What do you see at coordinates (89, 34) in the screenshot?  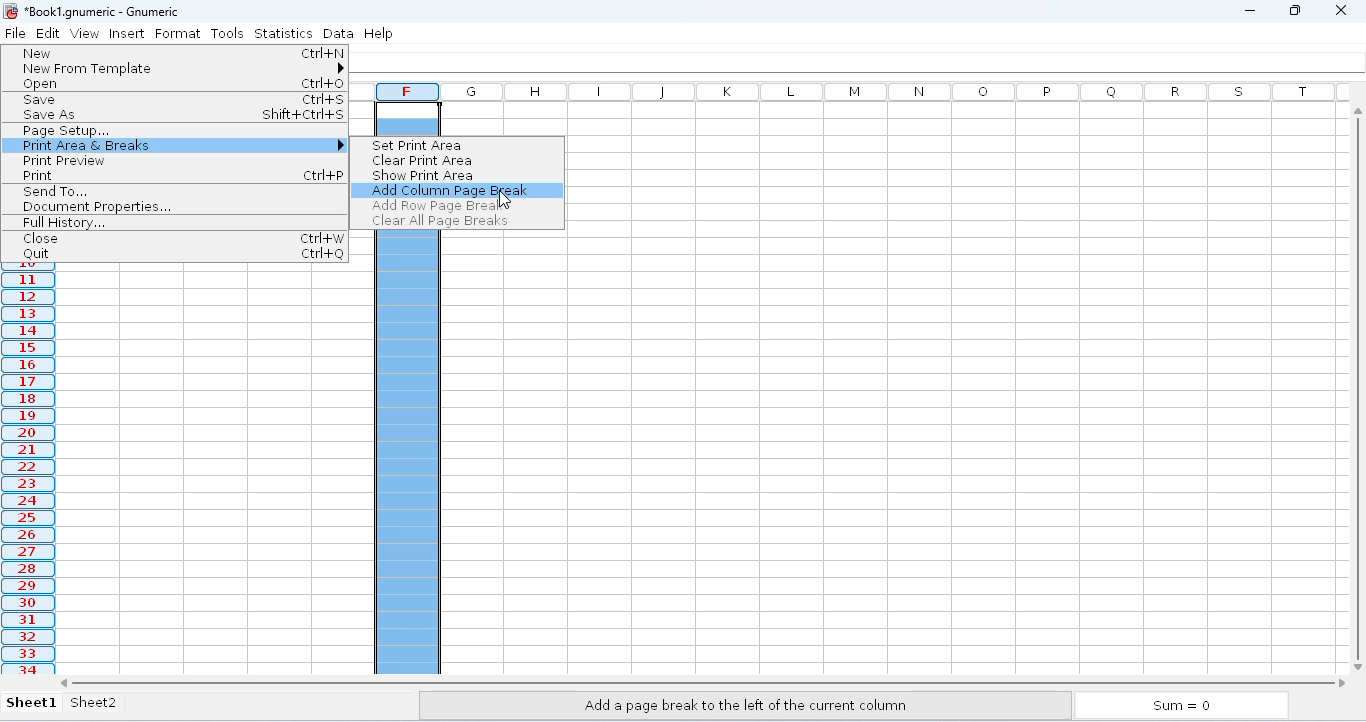 I see `view` at bounding box center [89, 34].